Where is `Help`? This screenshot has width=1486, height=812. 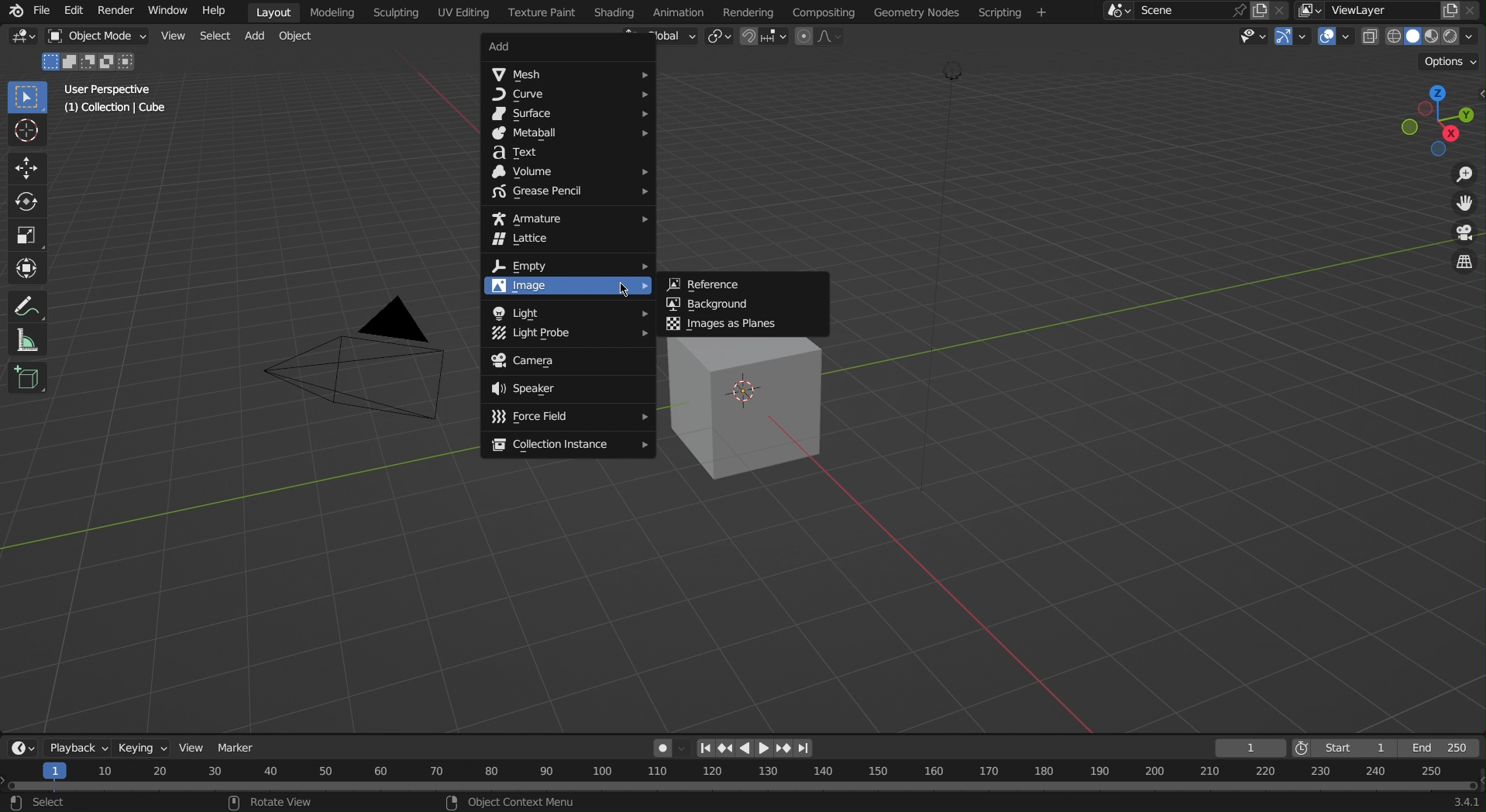 Help is located at coordinates (214, 10).